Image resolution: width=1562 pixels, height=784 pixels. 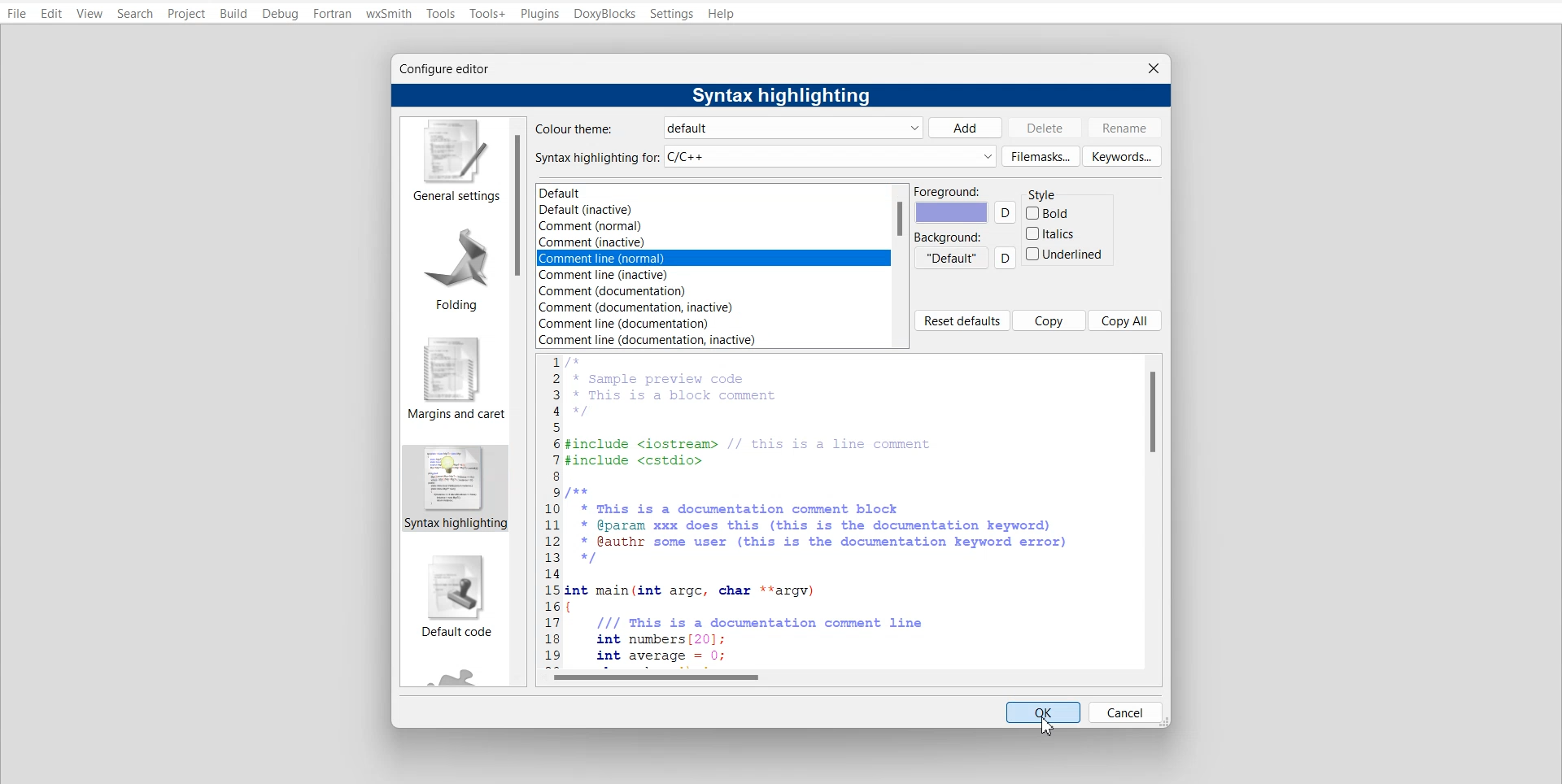 What do you see at coordinates (188, 13) in the screenshot?
I see `Project` at bounding box center [188, 13].